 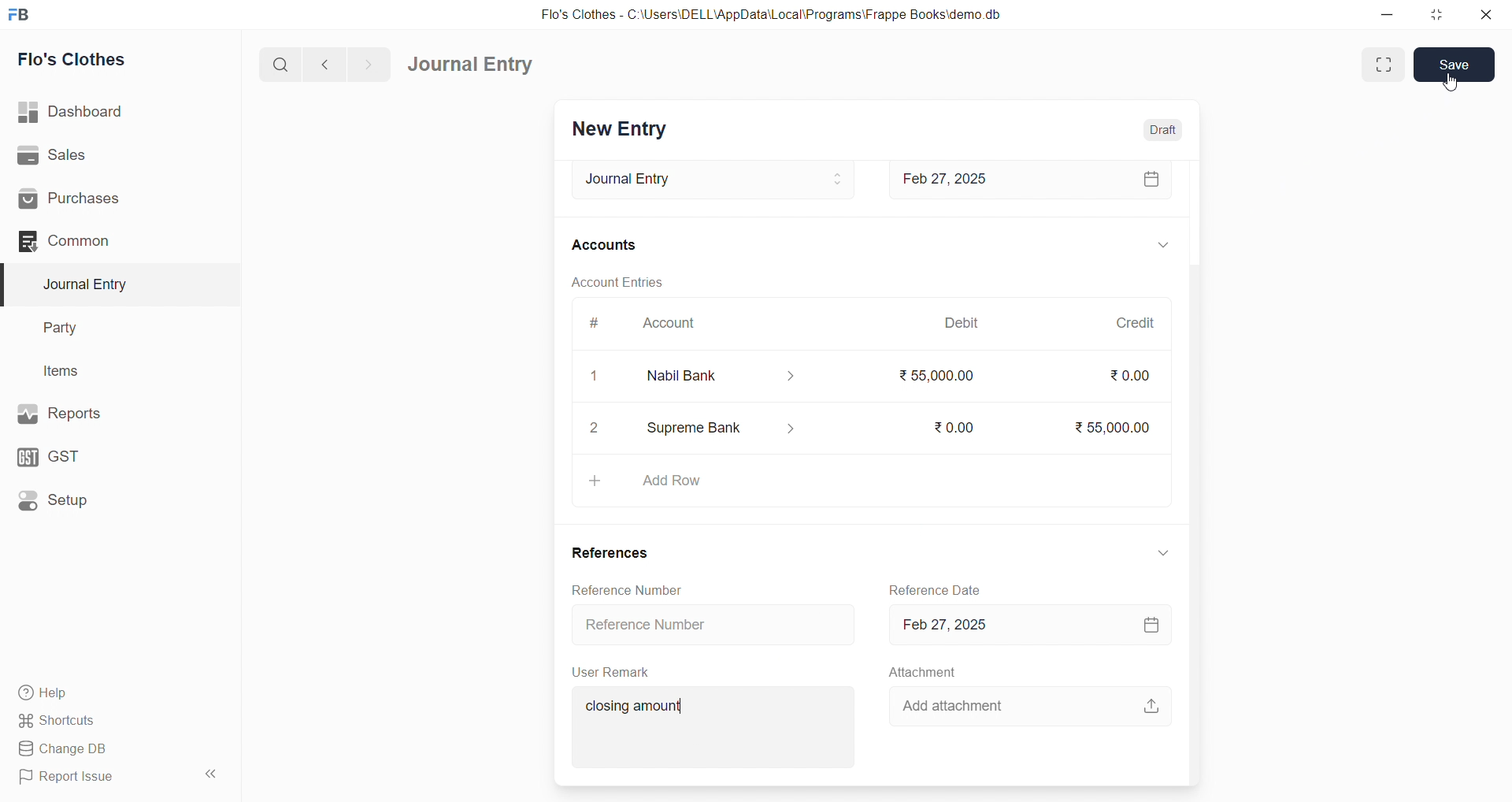 What do you see at coordinates (1028, 704) in the screenshot?
I see `Add attachment` at bounding box center [1028, 704].